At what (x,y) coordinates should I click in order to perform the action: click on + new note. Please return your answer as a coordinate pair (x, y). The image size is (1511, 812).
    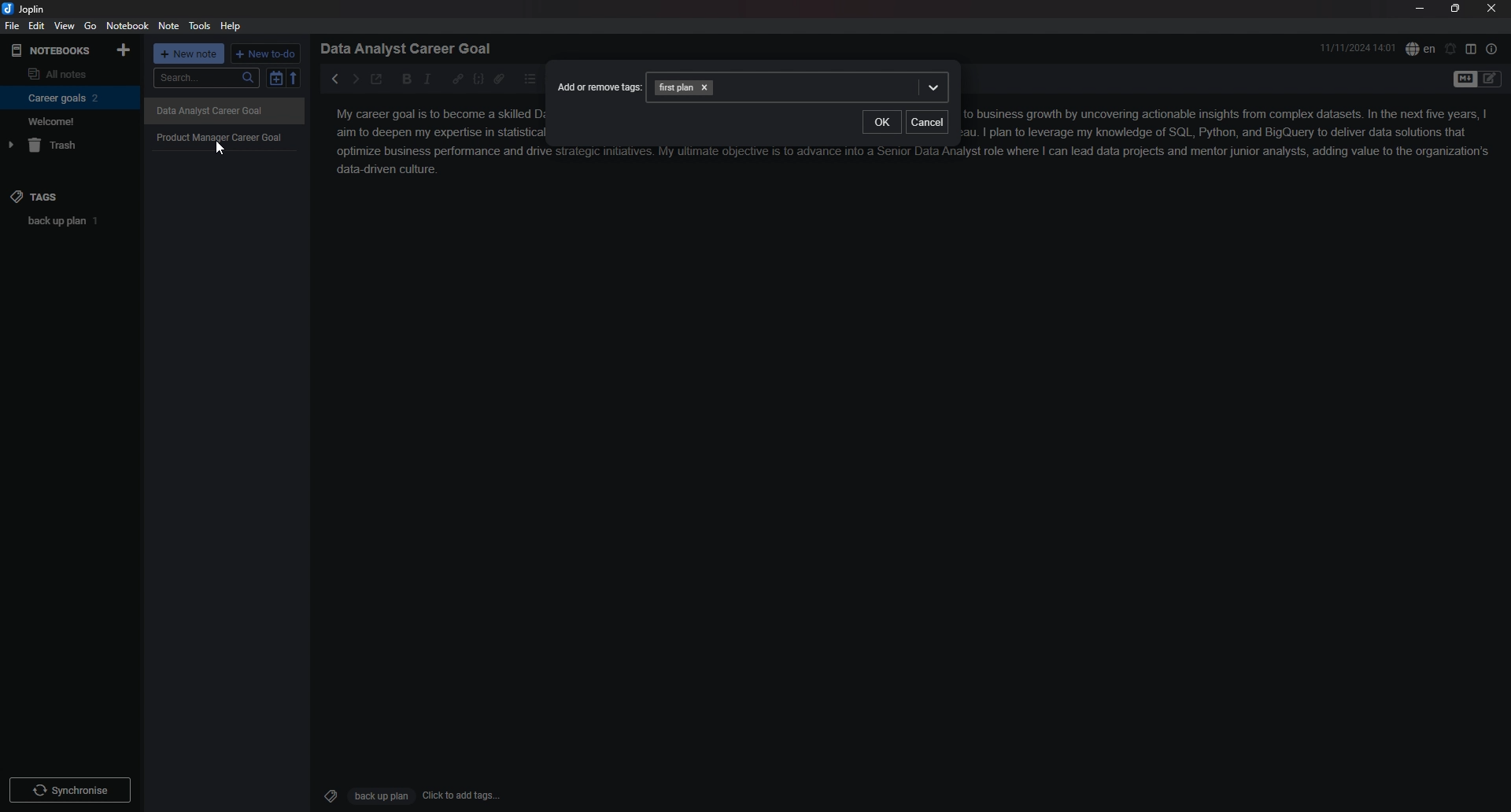
    Looking at the image, I should click on (189, 54).